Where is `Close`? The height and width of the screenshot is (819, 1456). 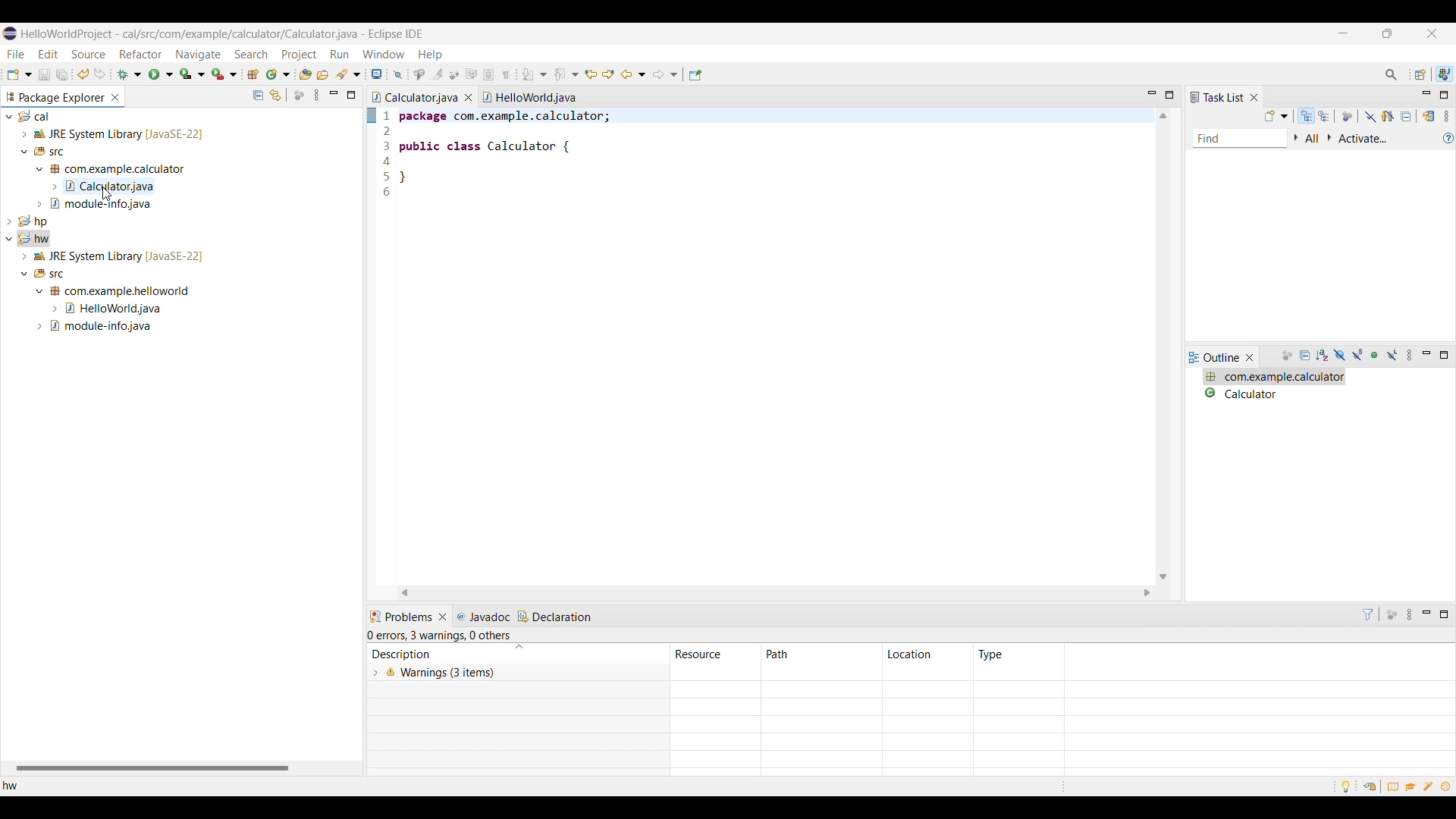 Close is located at coordinates (1254, 97).